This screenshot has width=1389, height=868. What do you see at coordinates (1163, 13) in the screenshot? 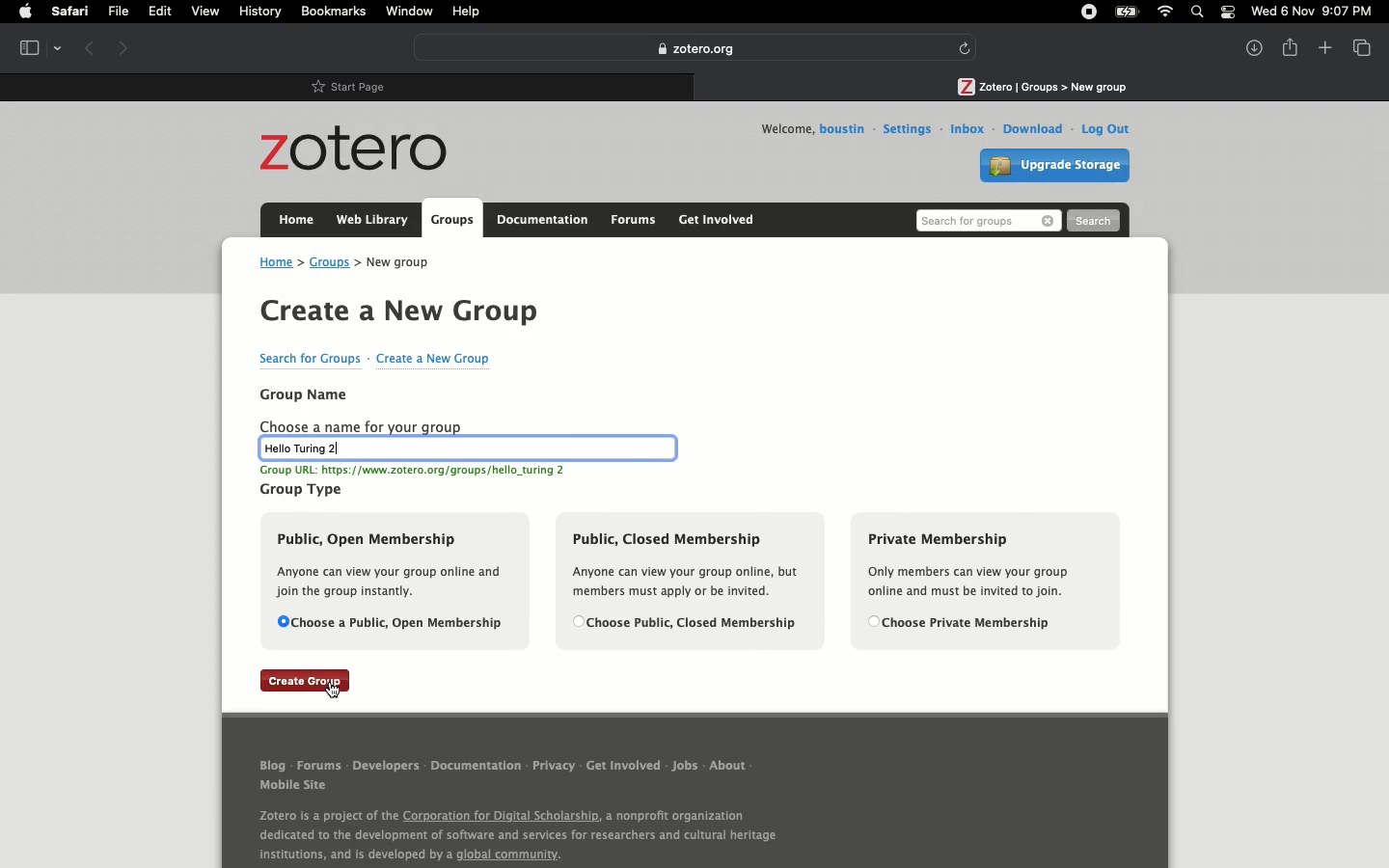
I see `Internet` at bounding box center [1163, 13].